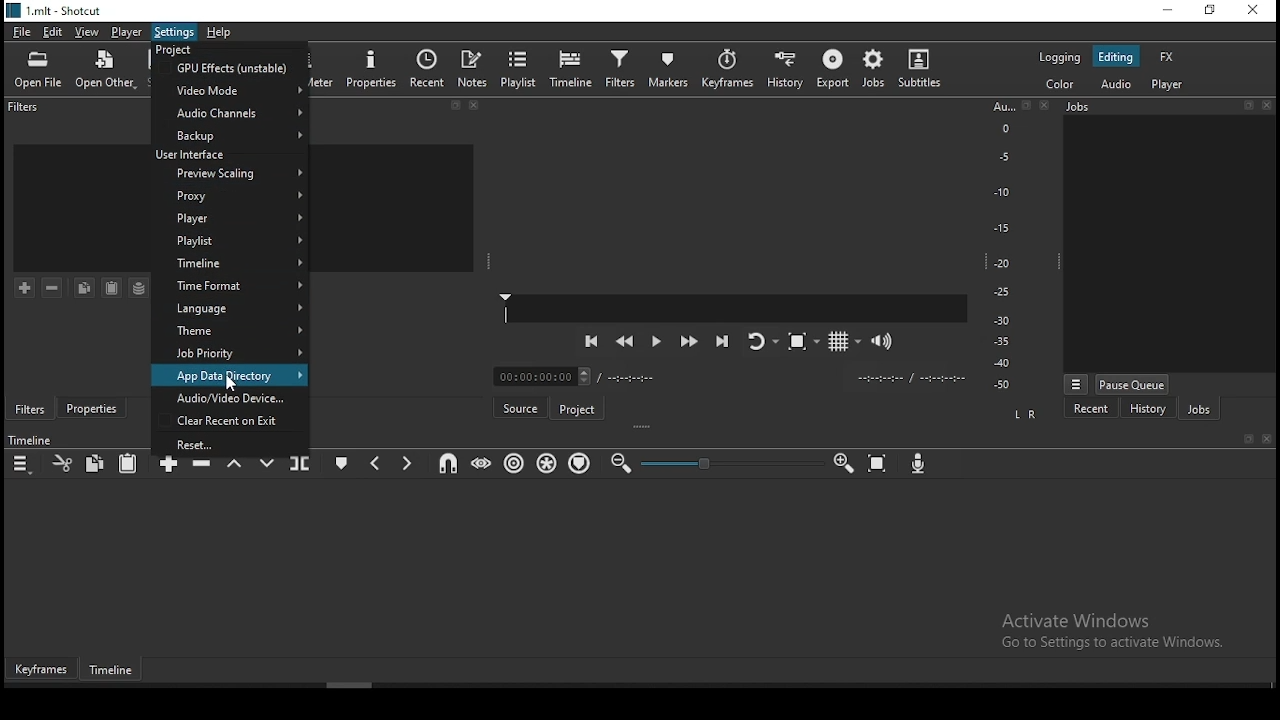 The image size is (1280, 720). Describe the element at coordinates (343, 460) in the screenshot. I see `create/edit marker` at that location.